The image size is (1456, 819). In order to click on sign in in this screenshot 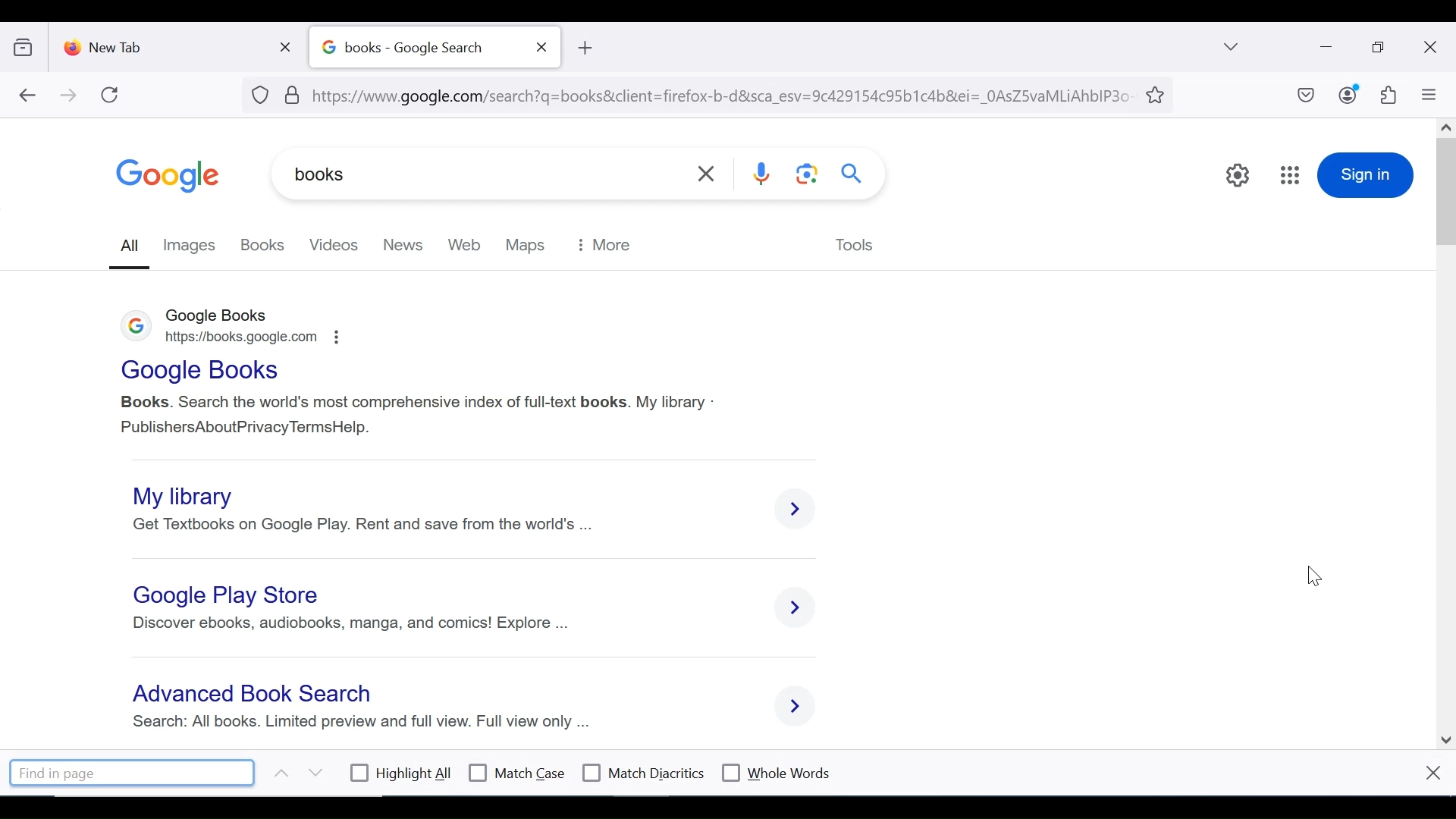, I will do `click(1367, 174)`.